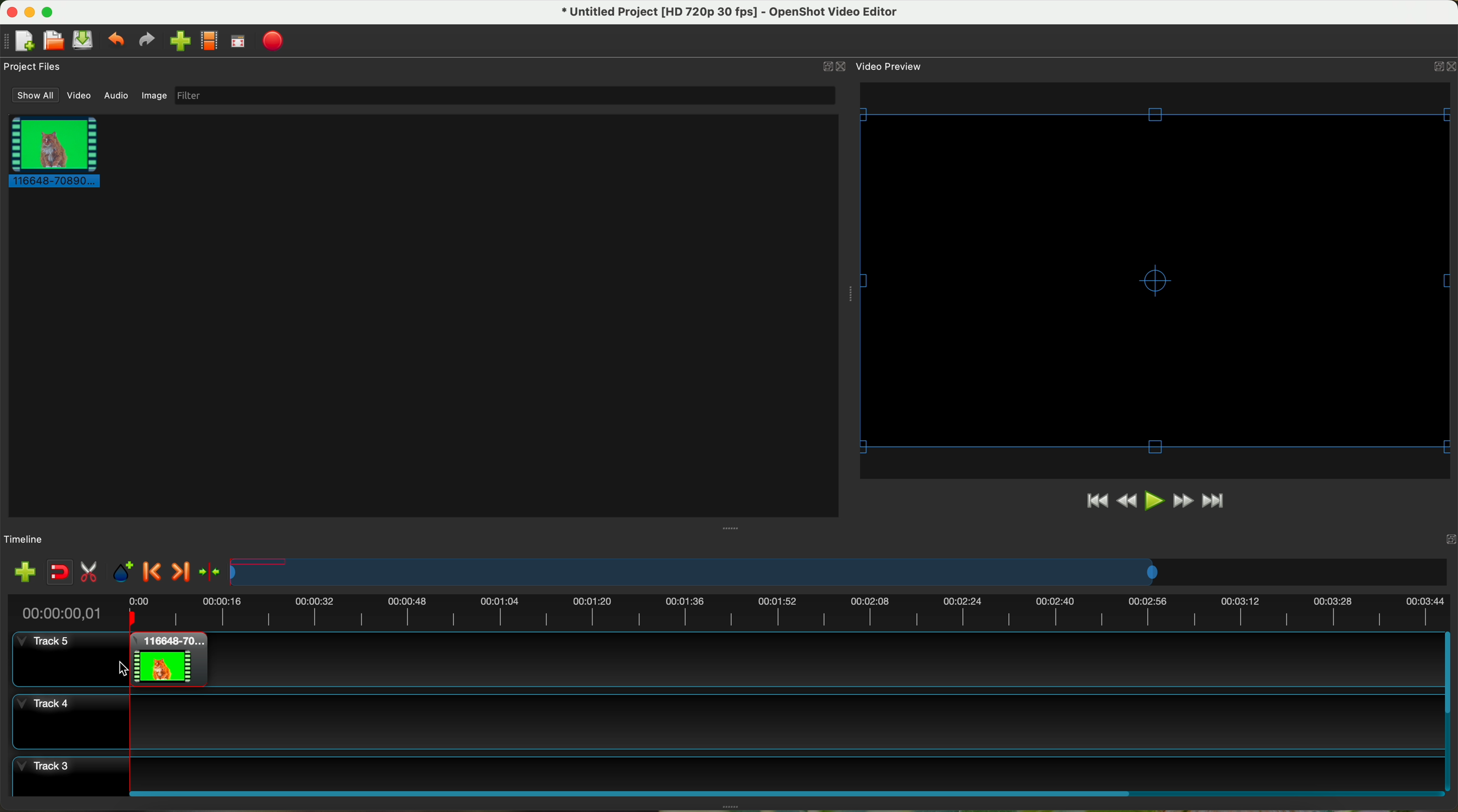 Image resolution: width=1458 pixels, height=812 pixels. What do you see at coordinates (1158, 280) in the screenshot?
I see `video borders` at bounding box center [1158, 280].